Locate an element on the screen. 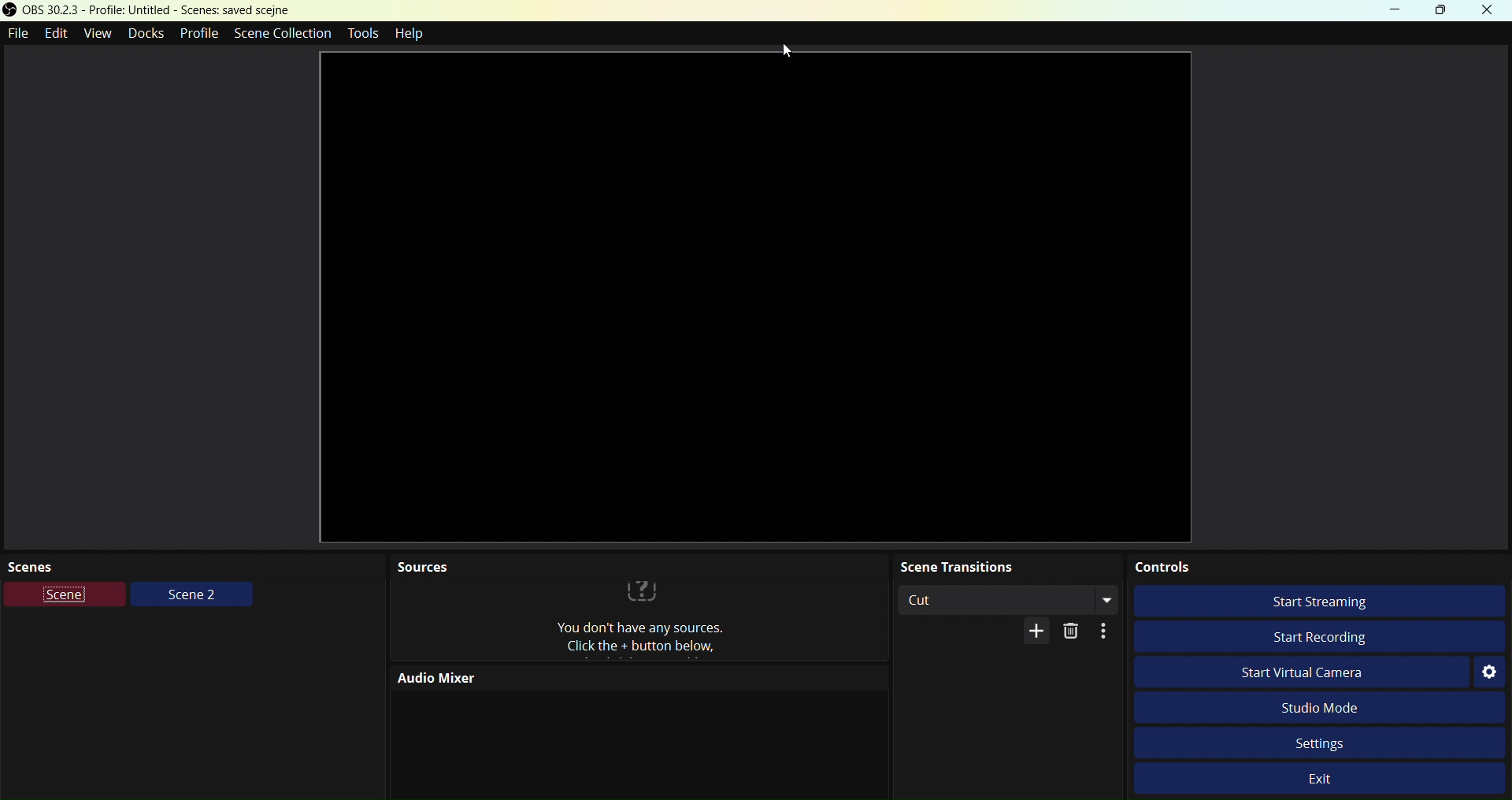 The height and width of the screenshot is (800, 1512). Studio Mode is located at coordinates (1316, 707).